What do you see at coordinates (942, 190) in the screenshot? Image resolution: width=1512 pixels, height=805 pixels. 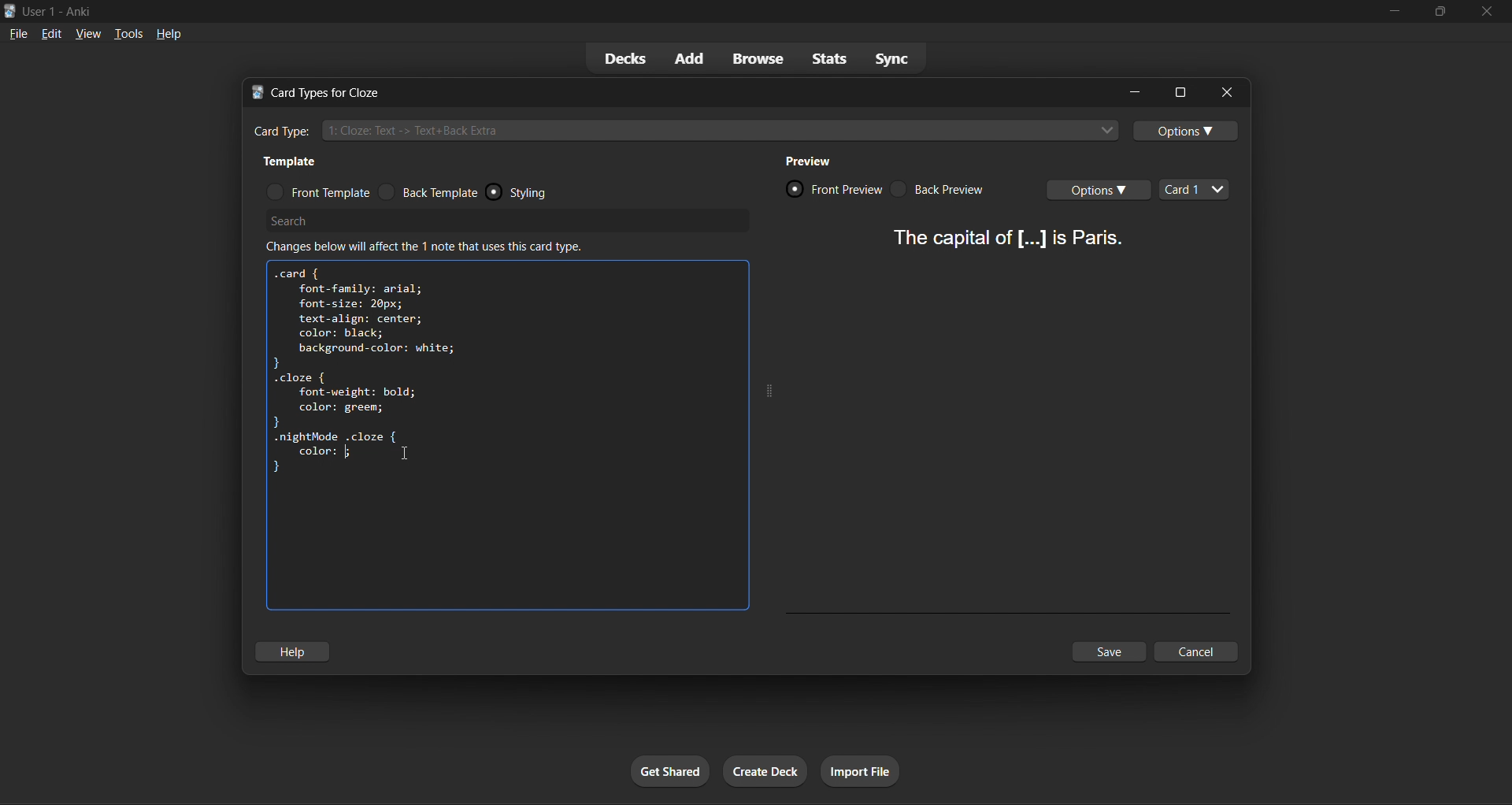 I see `card back preview` at bounding box center [942, 190].